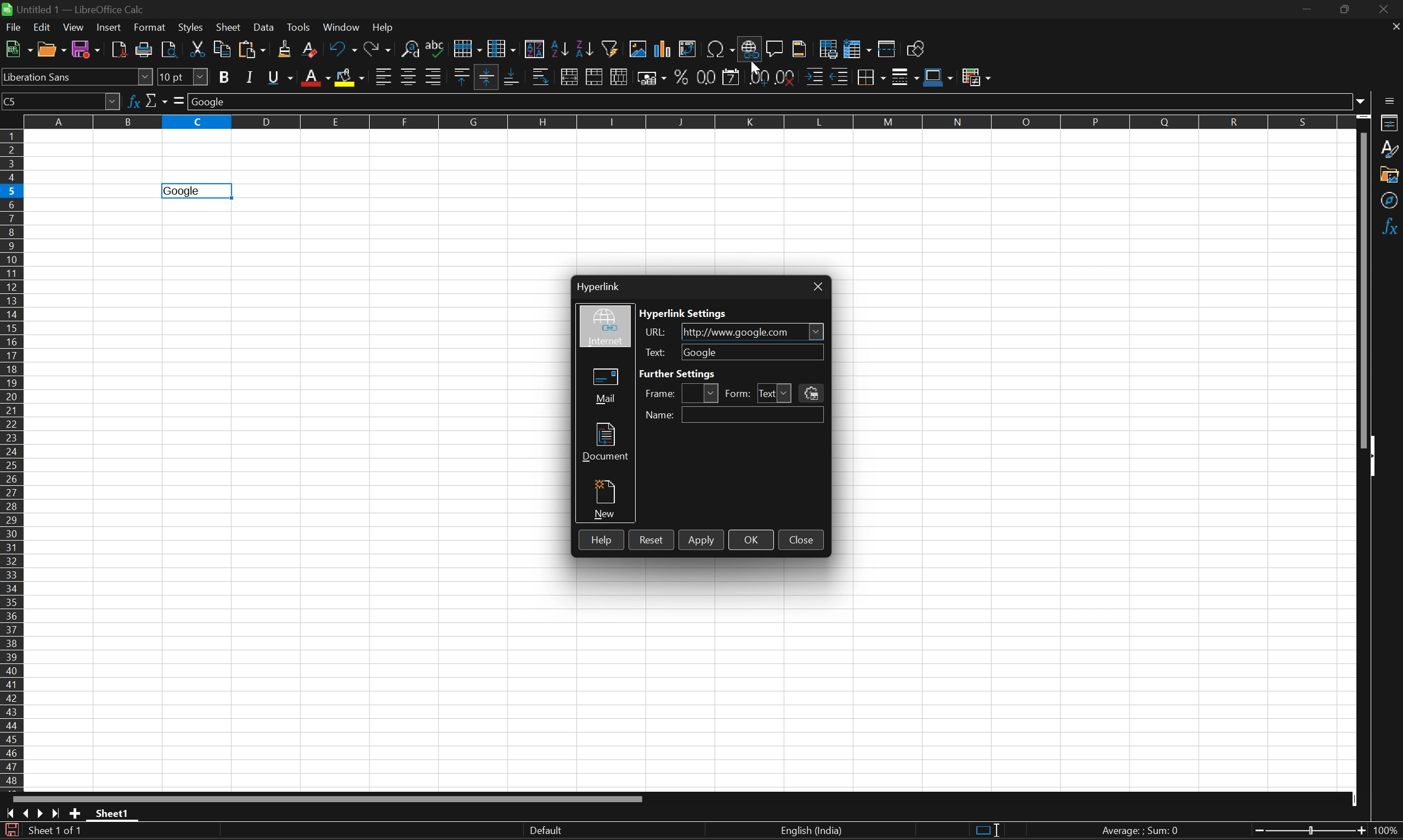 Image resolution: width=1403 pixels, height=840 pixels. What do you see at coordinates (652, 78) in the screenshot?
I see `Format as currency` at bounding box center [652, 78].